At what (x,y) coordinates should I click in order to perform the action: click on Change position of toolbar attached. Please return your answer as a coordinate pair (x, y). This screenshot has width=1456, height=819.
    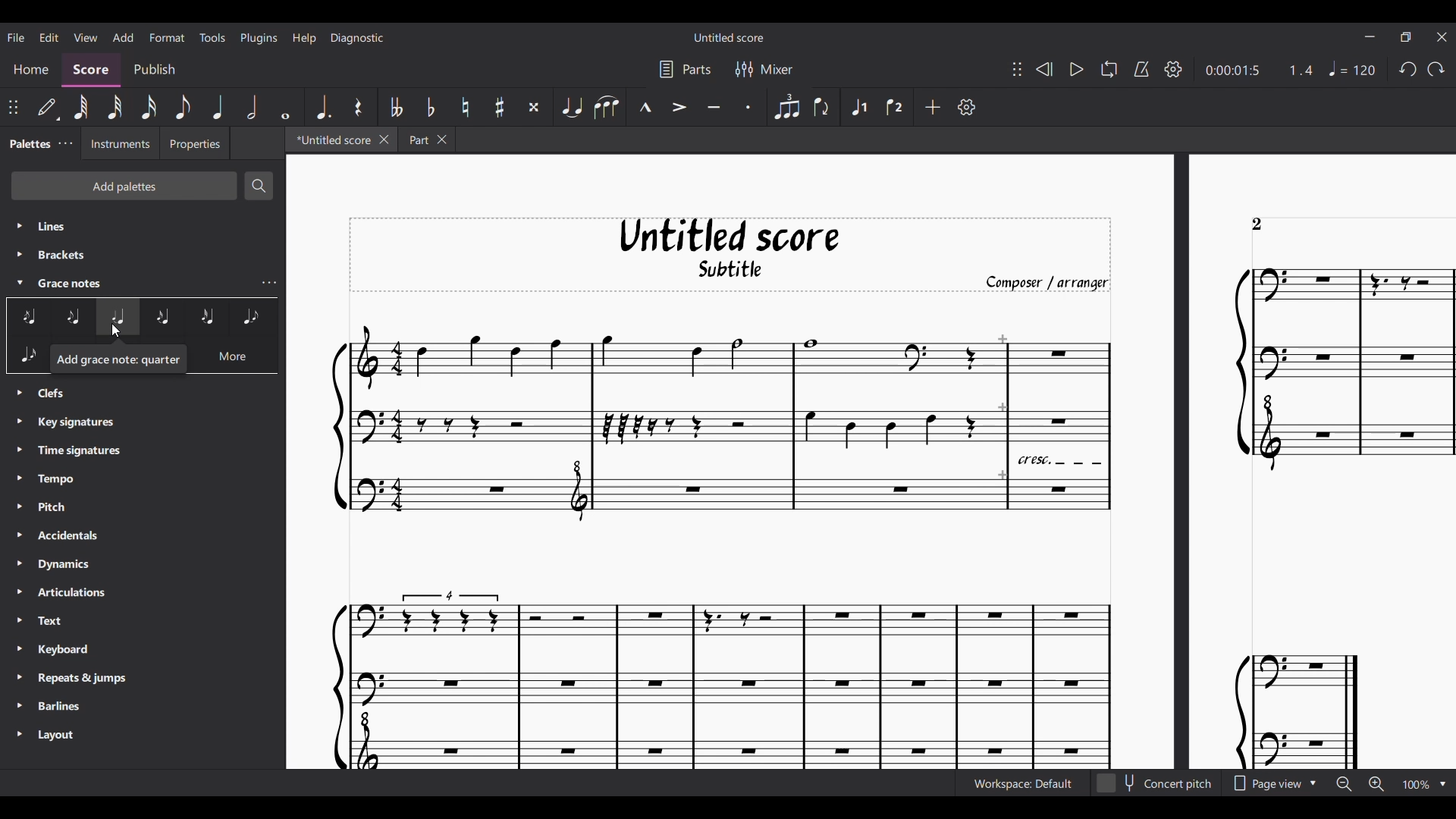
    Looking at the image, I should click on (1016, 69).